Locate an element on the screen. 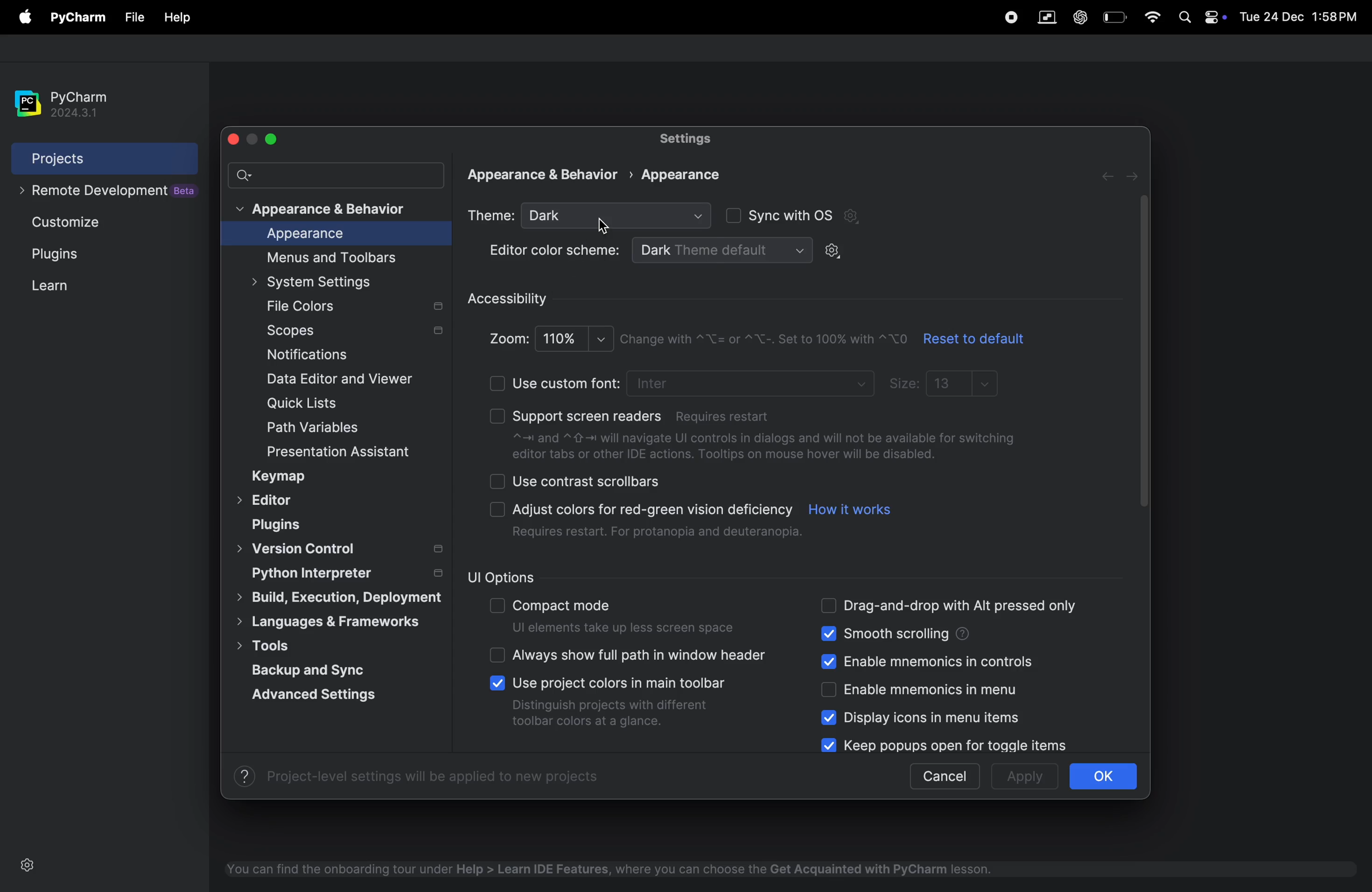  close is located at coordinates (237, 139).